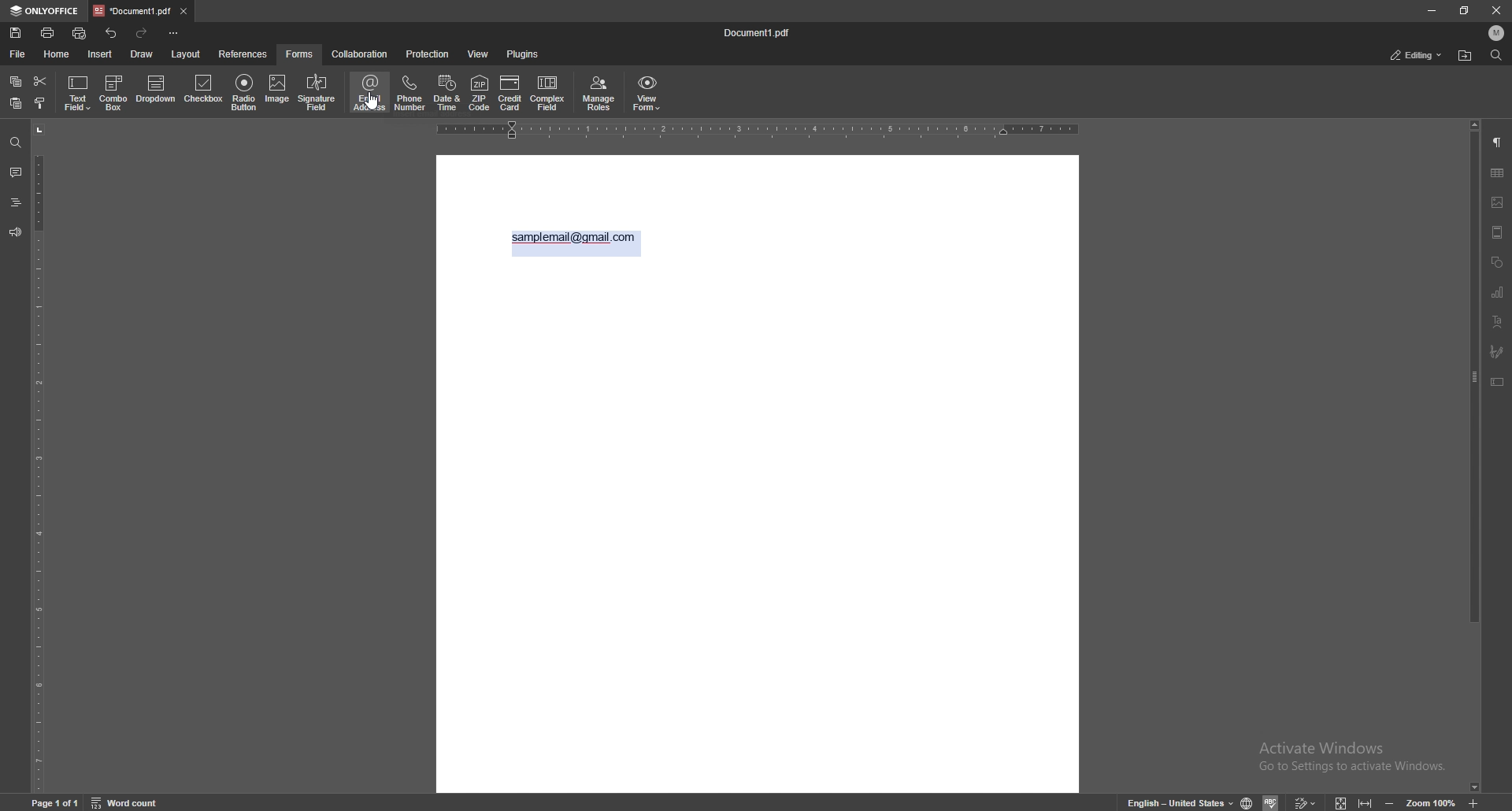 This screenshot has width=1512, height=811. What do you see at coordinates (45, 11) in the screenshot?
I see `onlyoffice` at bounding box center [45, 11].